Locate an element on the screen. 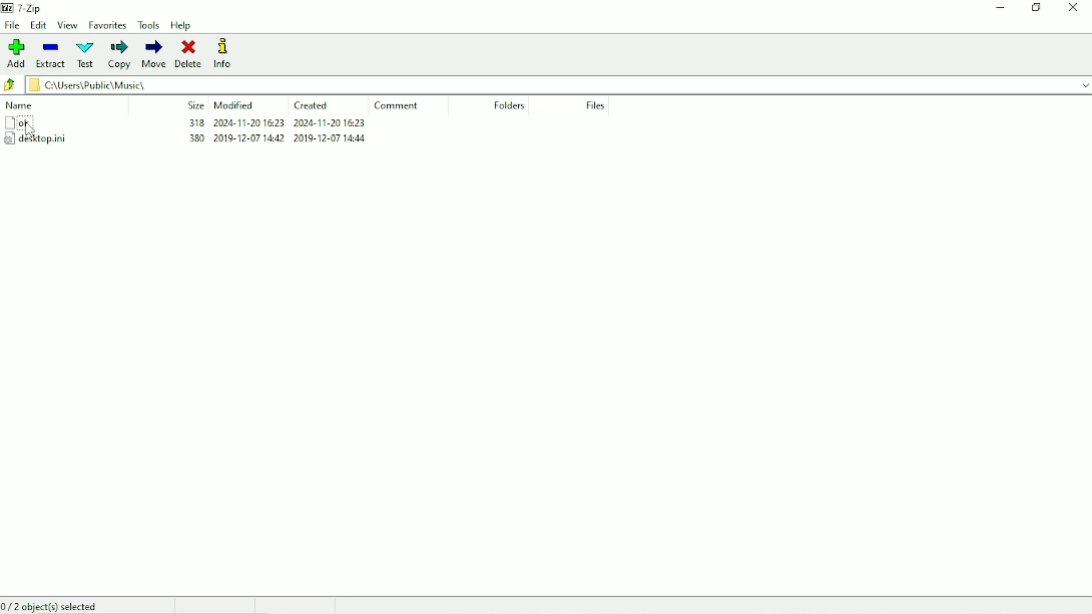 The width and height of the screenshot is (1092, 614).  is located at coordinates (186, 124).